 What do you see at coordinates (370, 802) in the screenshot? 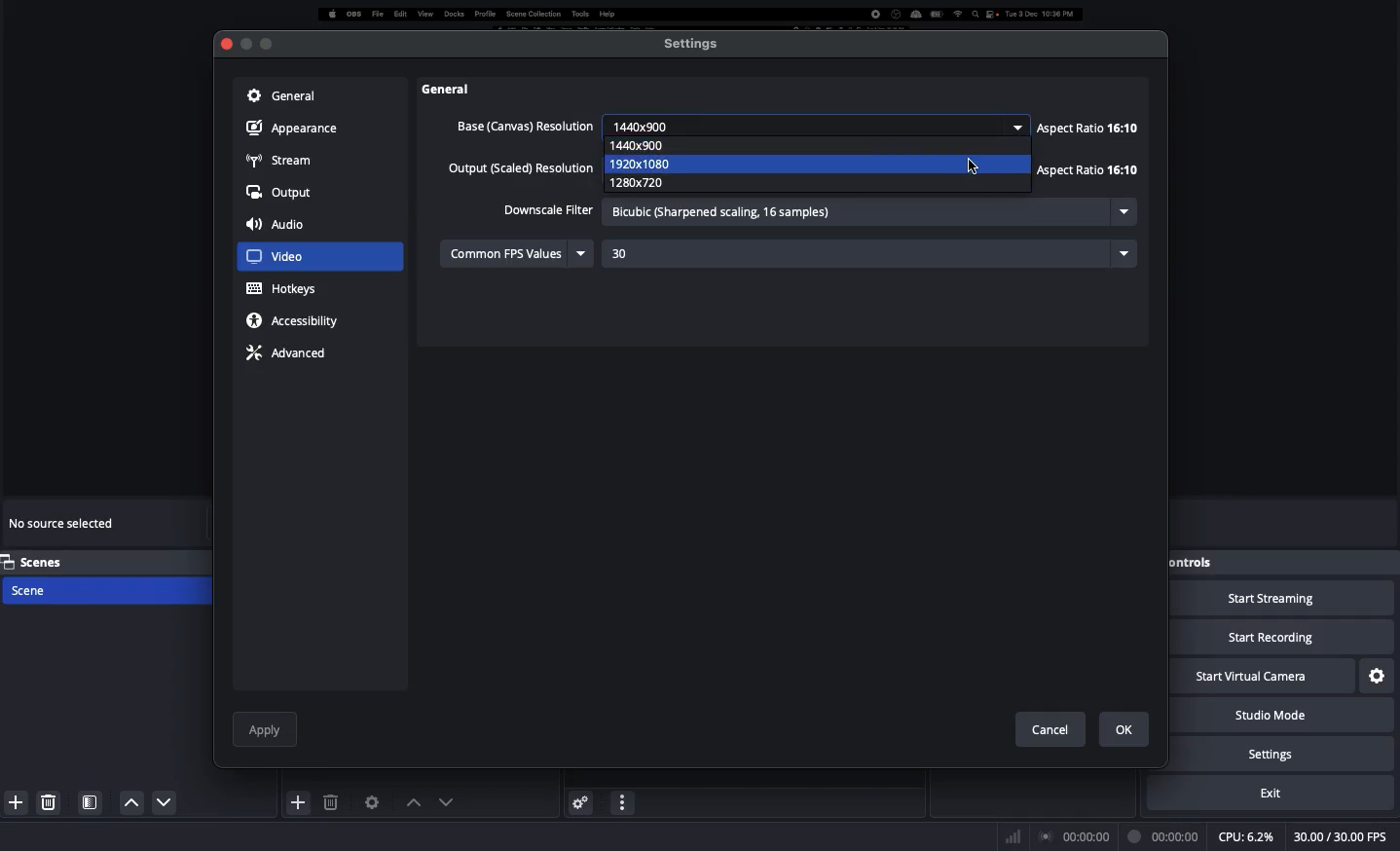
I see `Source preferences` at bounding box center [370, 802].